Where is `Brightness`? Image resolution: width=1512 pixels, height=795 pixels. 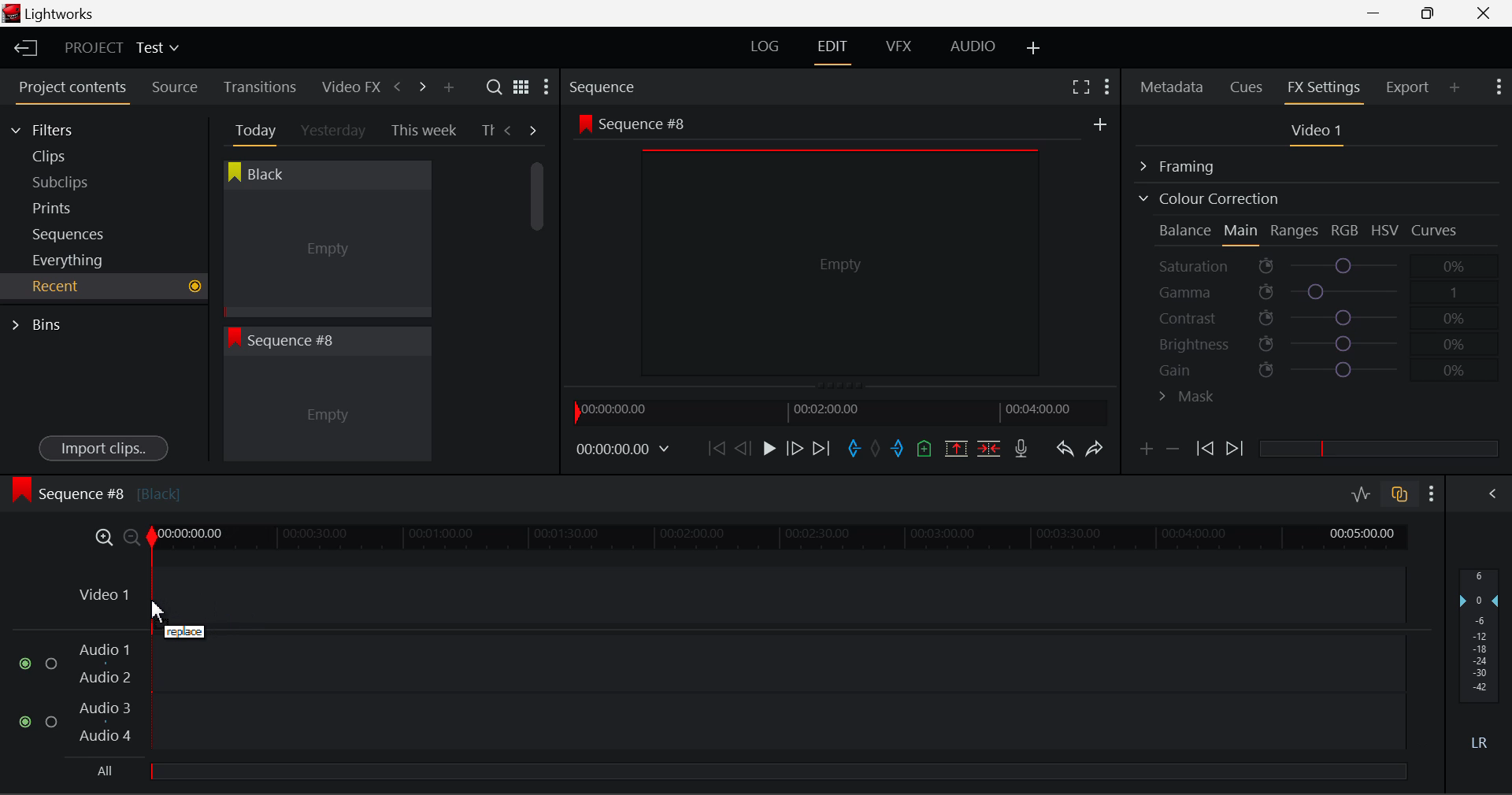 Brightness is located at coordinates (1318, 341).